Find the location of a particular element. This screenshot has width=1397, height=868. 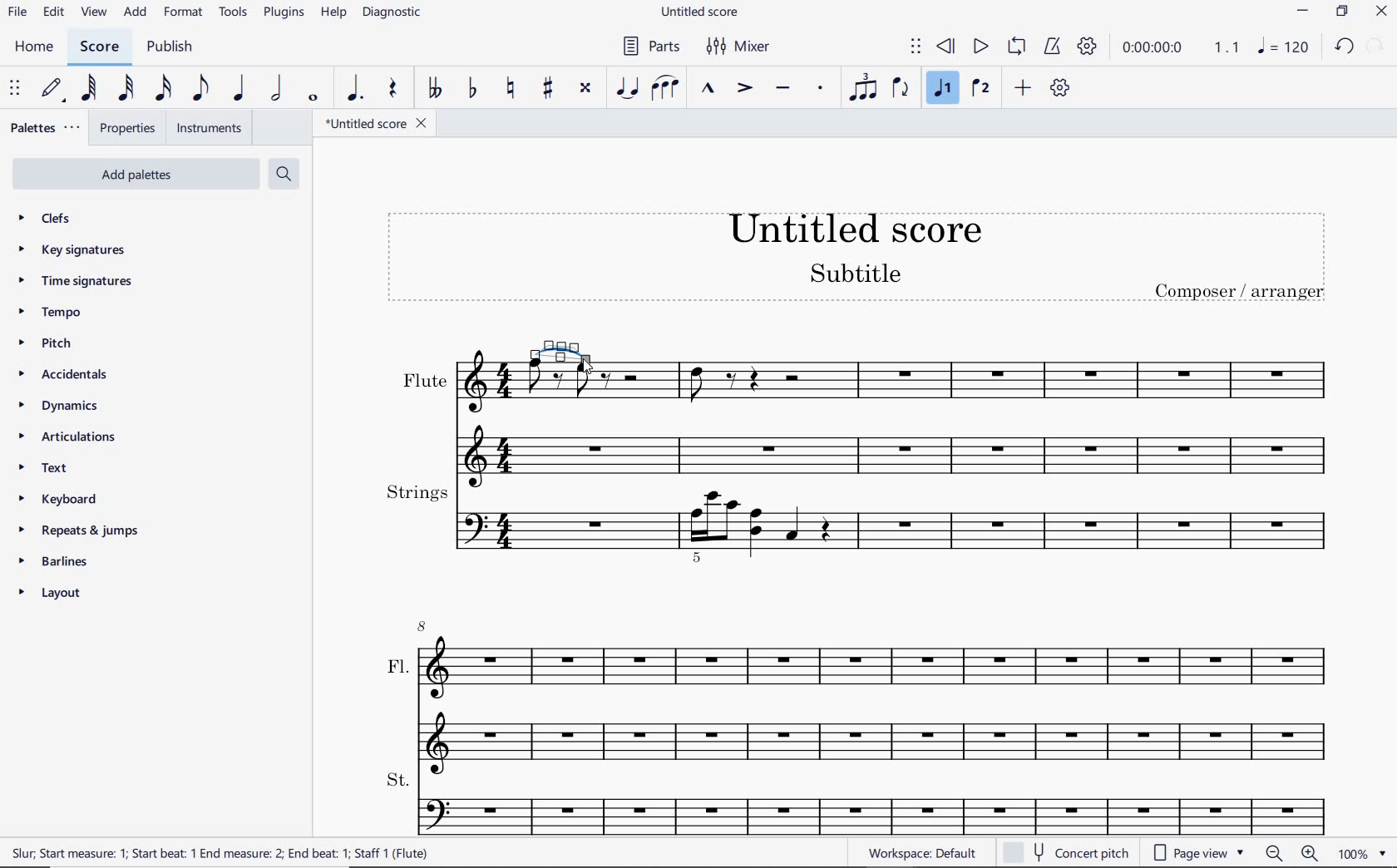

VOICE 2 is located at coordinates (981, 89).